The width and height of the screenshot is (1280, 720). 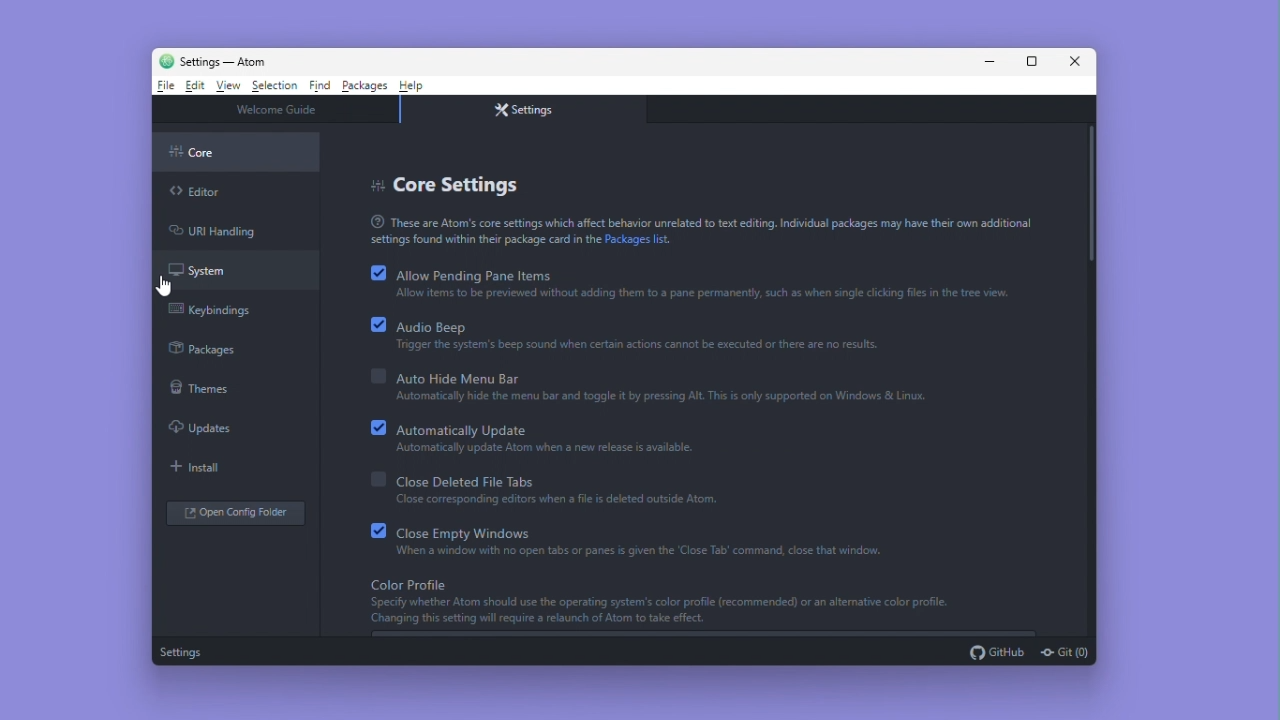 What do you see at coordinates (203, 426) in the screenshot?
I see `Updates colour` at bounding box center [203, 426].